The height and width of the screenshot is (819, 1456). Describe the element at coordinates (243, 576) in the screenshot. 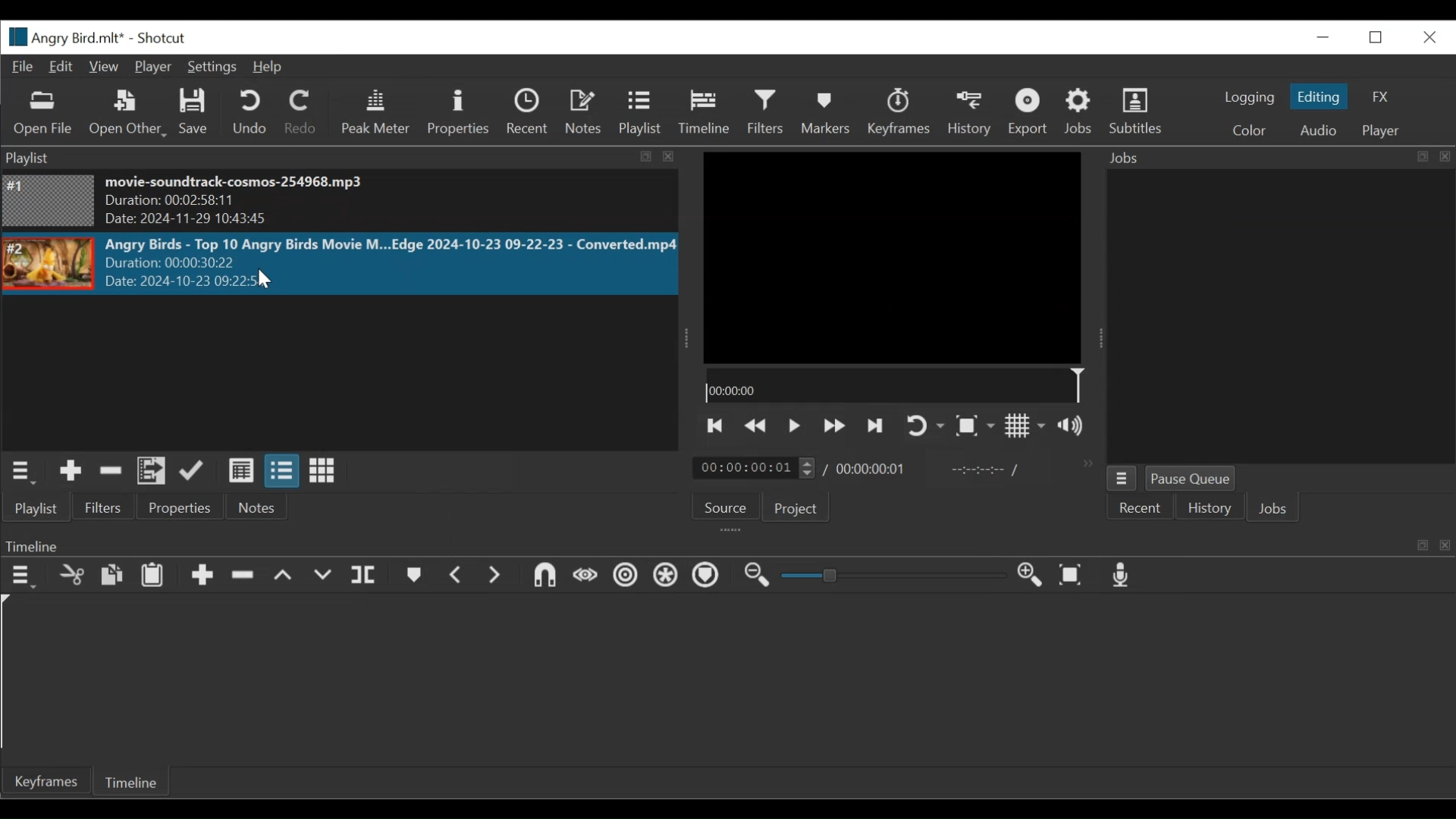

I see `Ripple Delete` at that location.